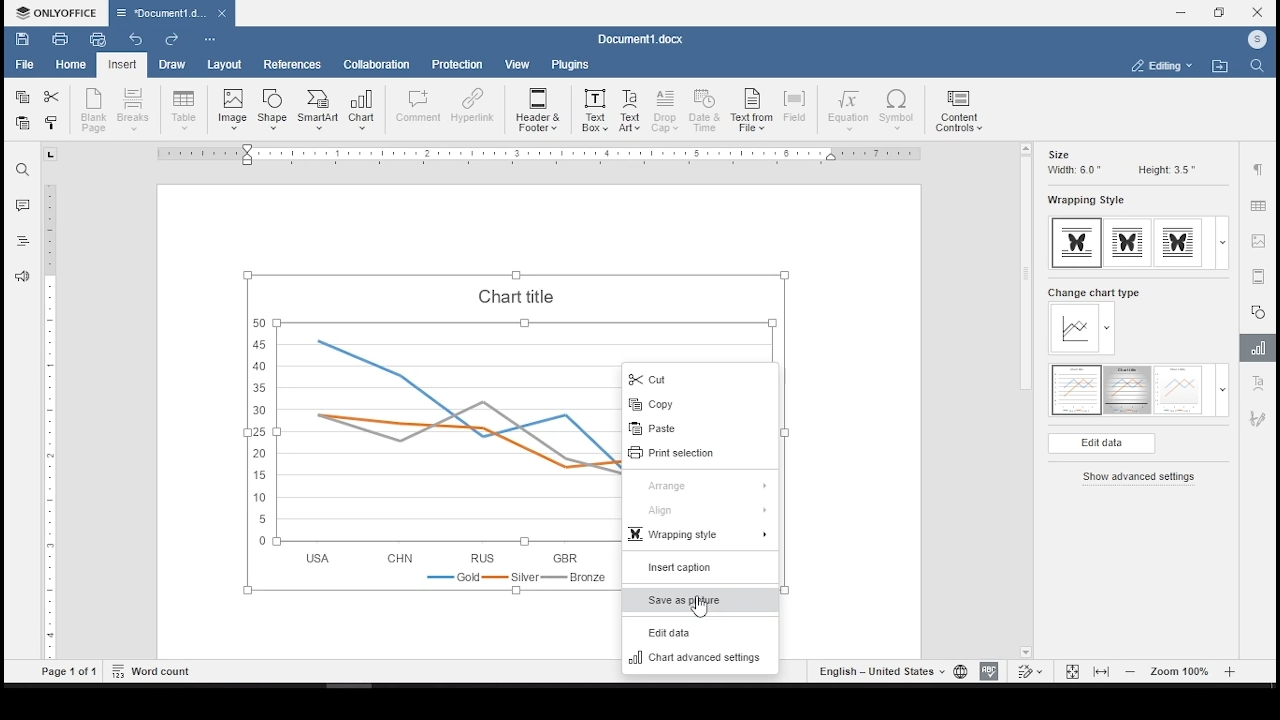 The height and width of the screenshot is (720, 1280). Describe the element at coordinates (211, 40) in the screenshot. I see `customize quick access toolbar` at that location.